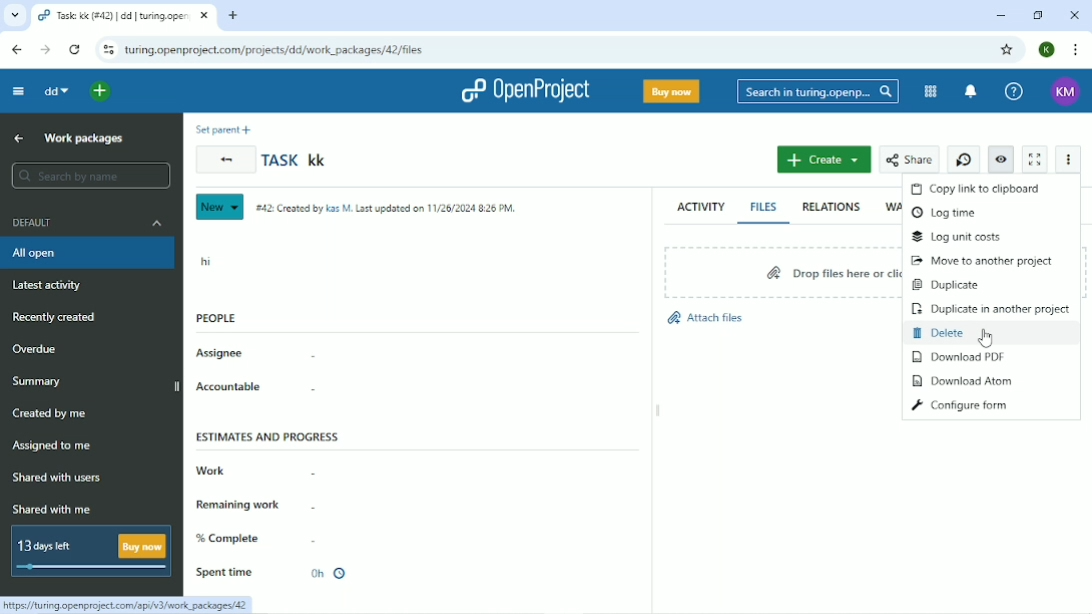  I want to click on , so click(100, 91).